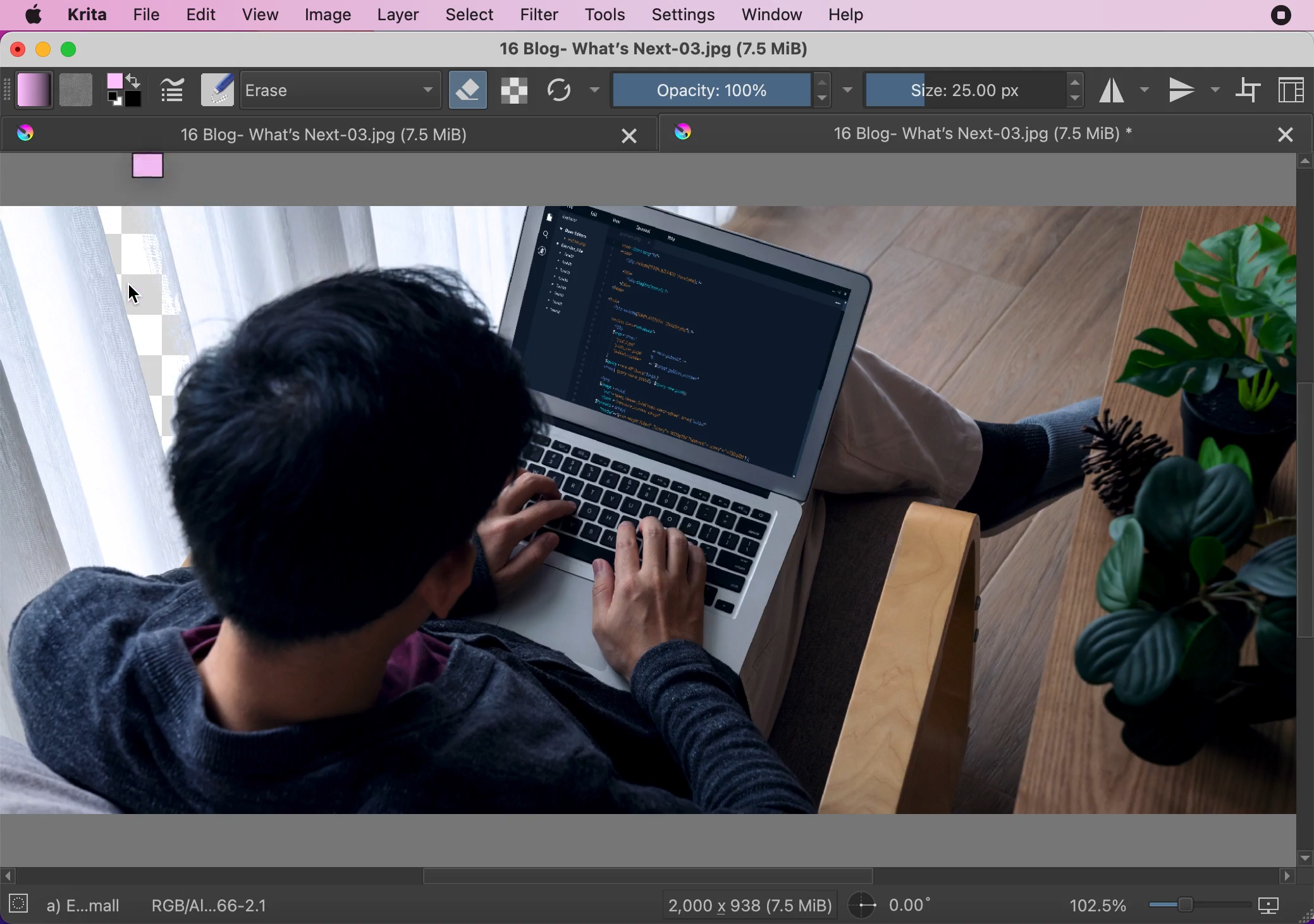 The height and width of the screenshot is (924, 1314). Describe the element at coordinates (707, 89) in the screenshot. I see `opacity: 100%` at that location.